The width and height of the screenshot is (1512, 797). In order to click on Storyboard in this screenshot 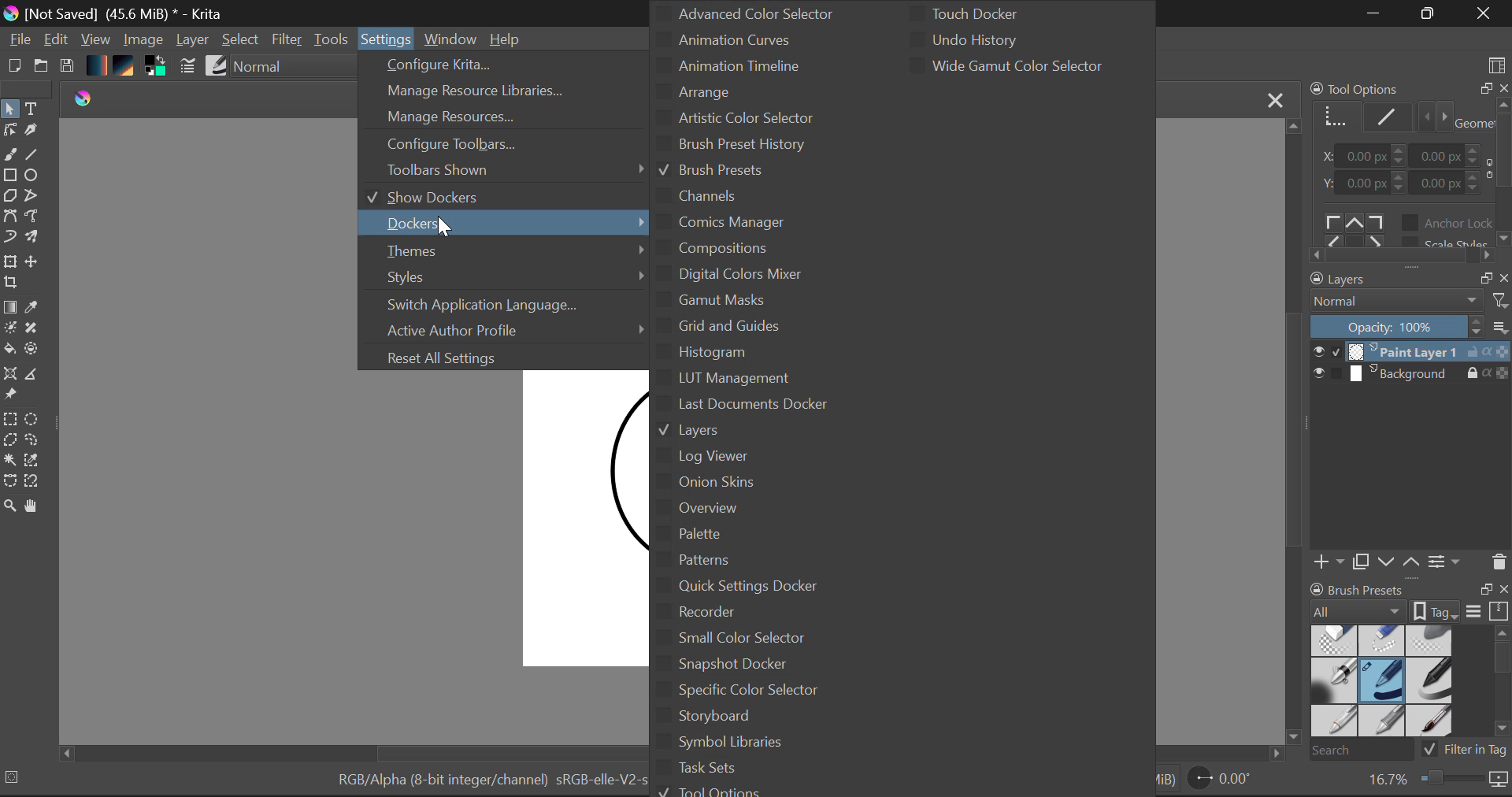, I will do `click(762, 720)`.